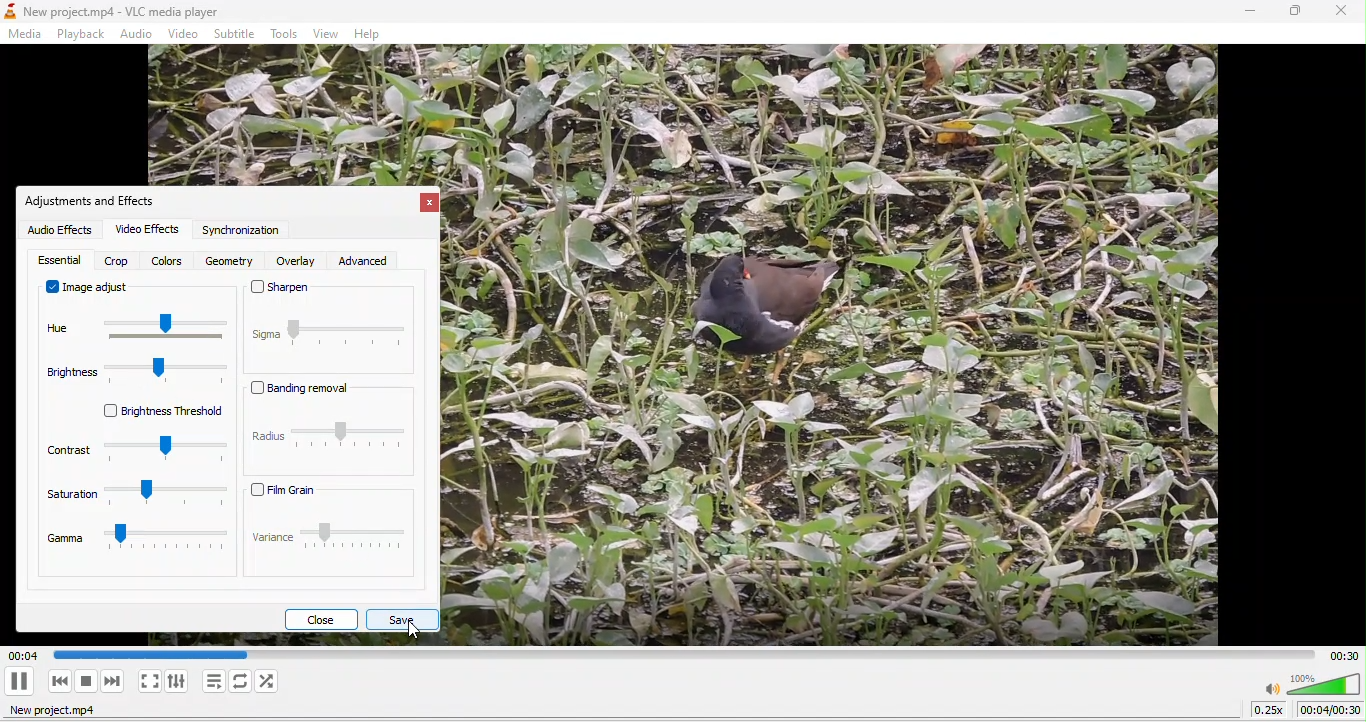 The height and width of the screenshot is (722, 1366). I want to click on click to toggle between loop all, so click(240, 685).